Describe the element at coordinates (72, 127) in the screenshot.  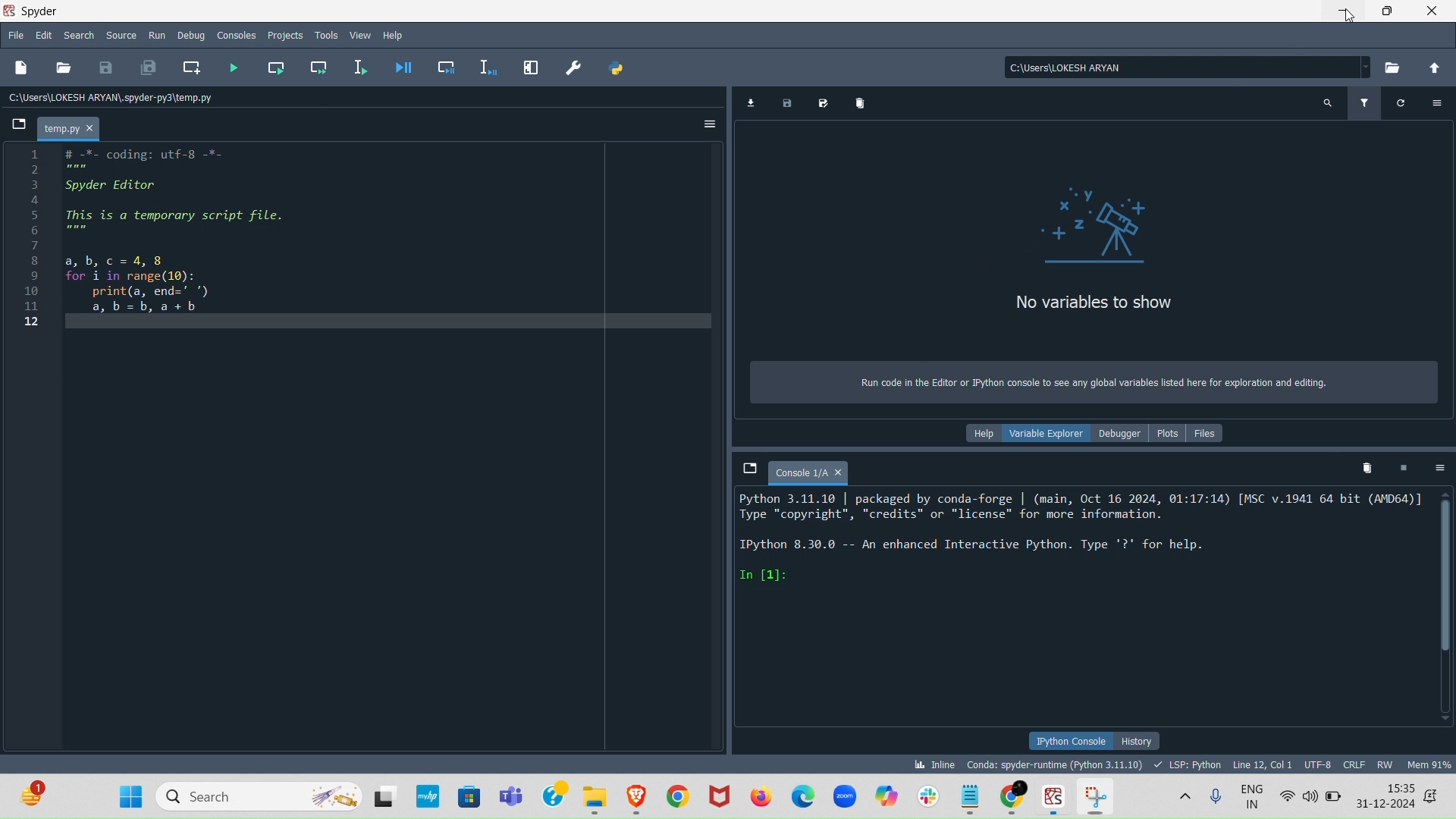
I see `File name` at that location.